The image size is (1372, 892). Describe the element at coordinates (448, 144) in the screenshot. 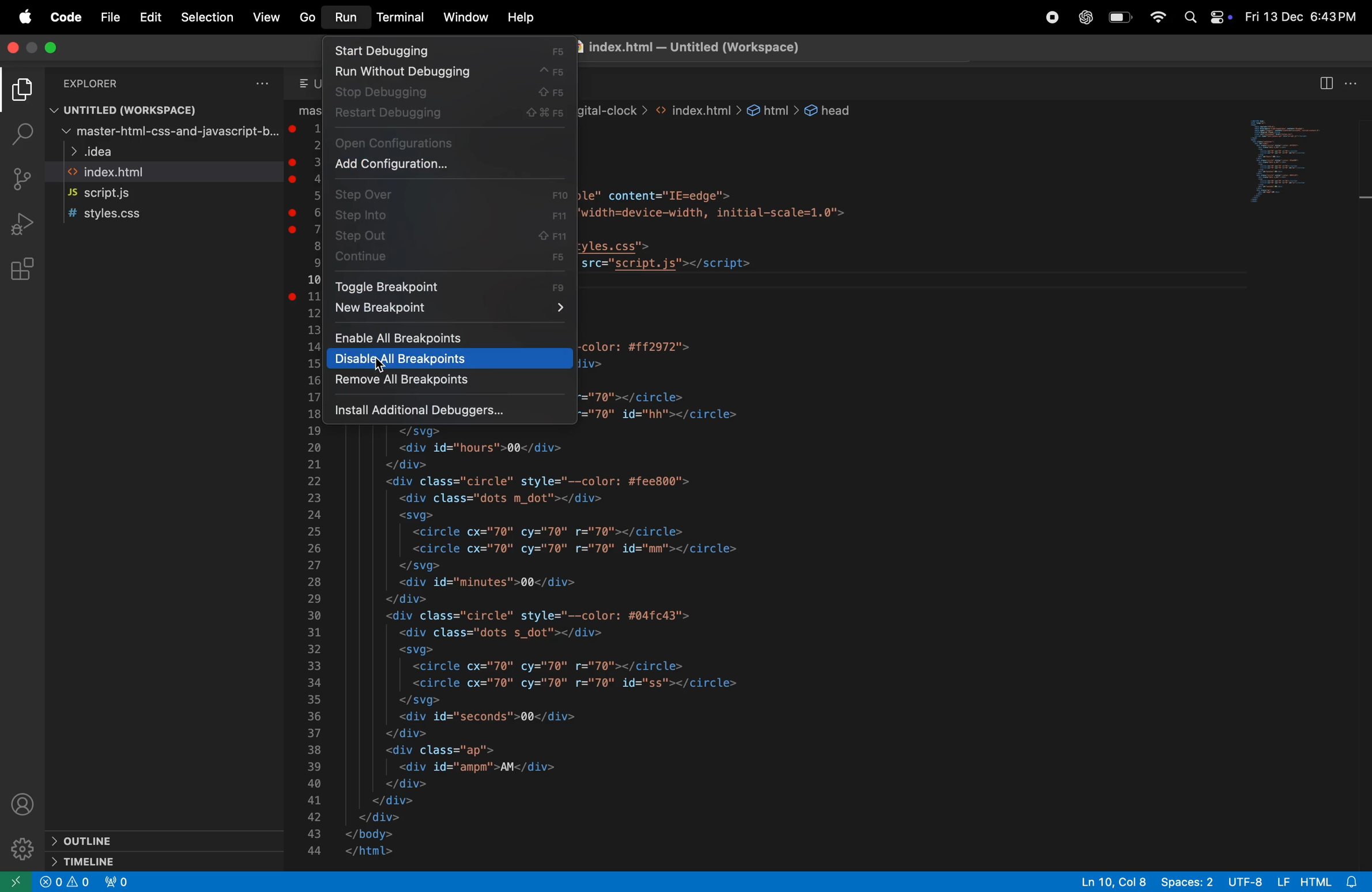

I see `open configurations` at that location.